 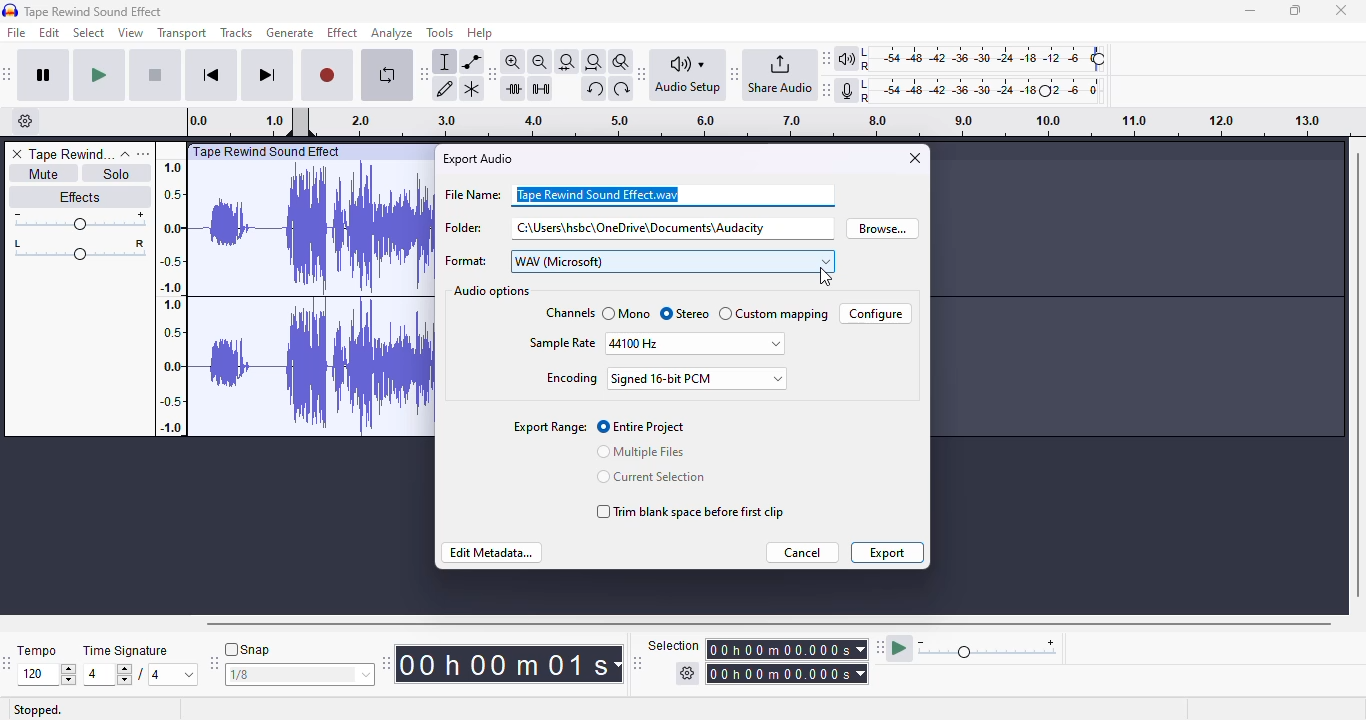 What do you see at coordinates (594, 61) in the screenshot?
I see `fit project to width` at bounding box center [594, 61].